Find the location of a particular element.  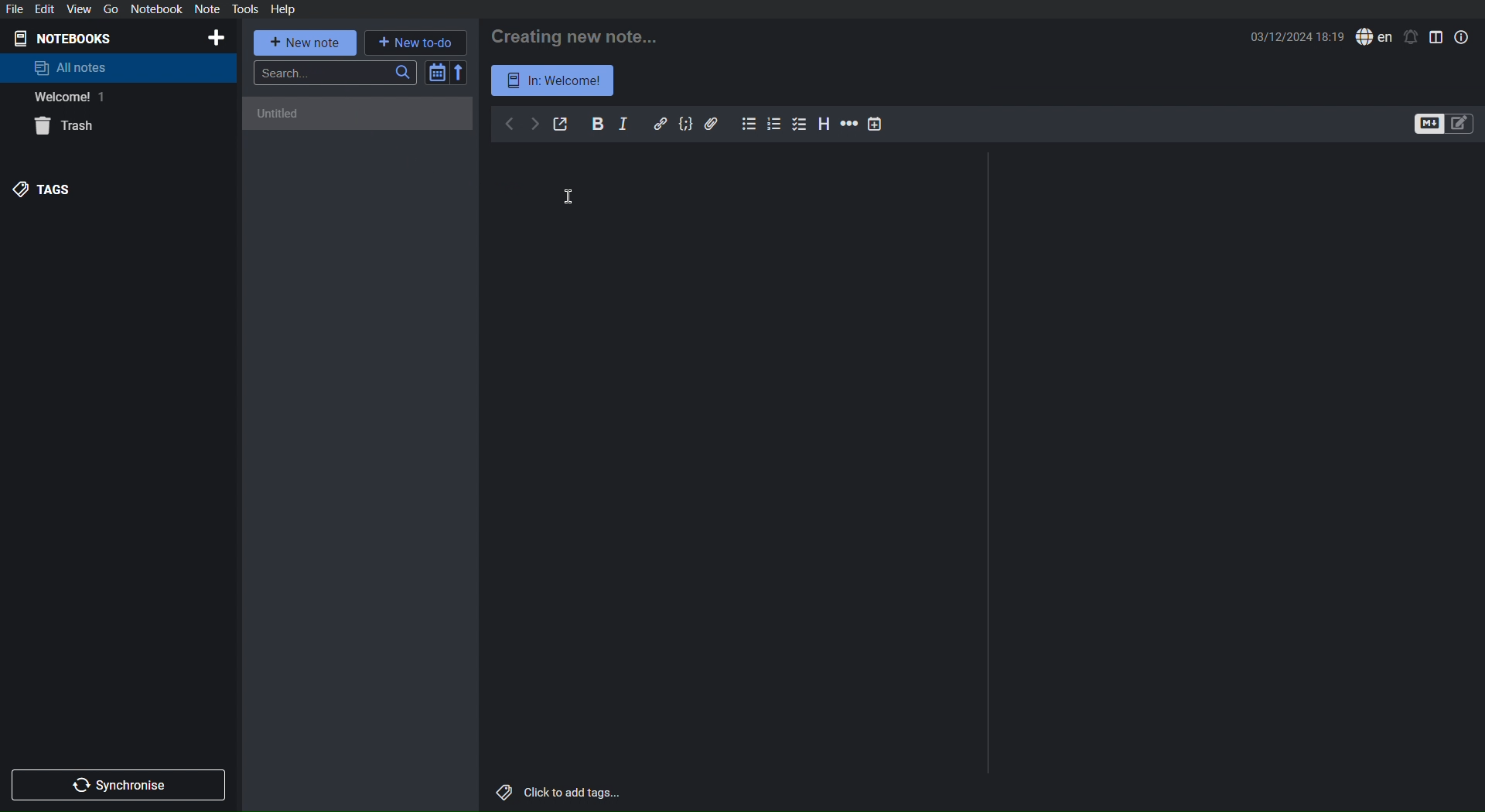

Creating new note is located at coordinates (578, 33).